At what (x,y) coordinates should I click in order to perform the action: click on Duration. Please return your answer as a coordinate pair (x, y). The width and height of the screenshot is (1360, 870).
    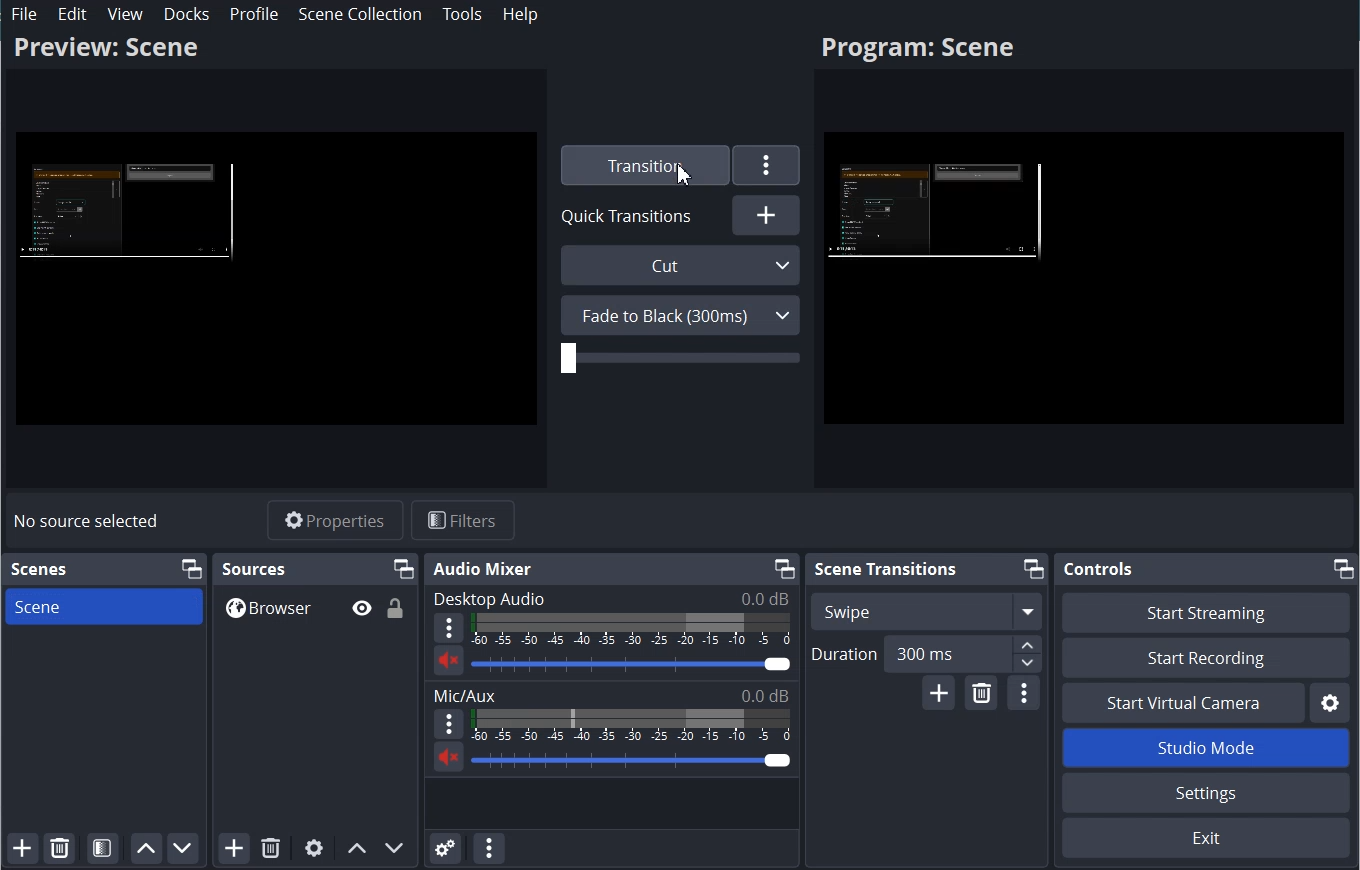
    Looking at the image, I should click on (926, 655).